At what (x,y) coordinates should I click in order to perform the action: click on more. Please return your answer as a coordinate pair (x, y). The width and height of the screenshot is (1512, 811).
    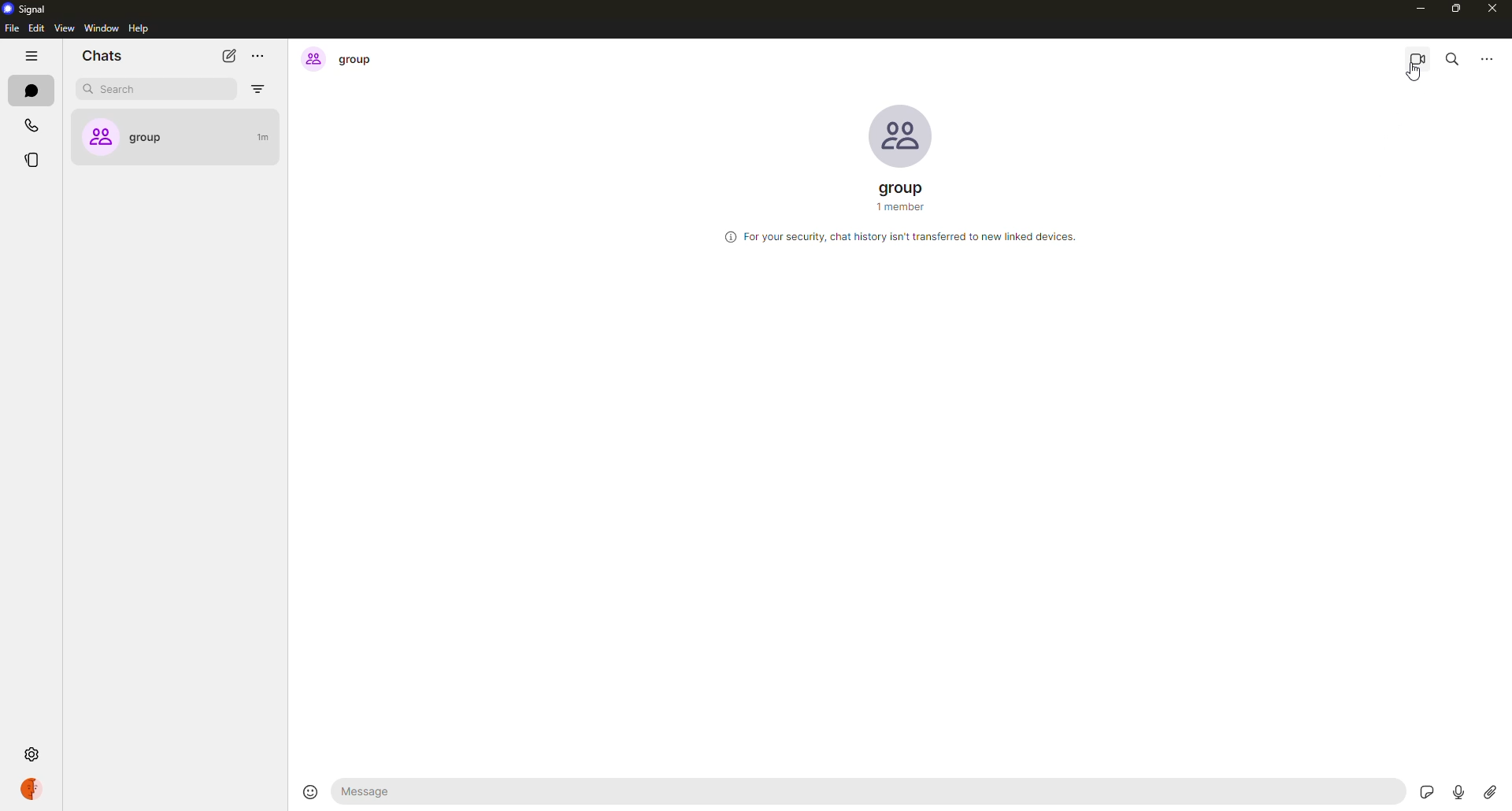
    Looking at the image, I should click on (1490, 59).